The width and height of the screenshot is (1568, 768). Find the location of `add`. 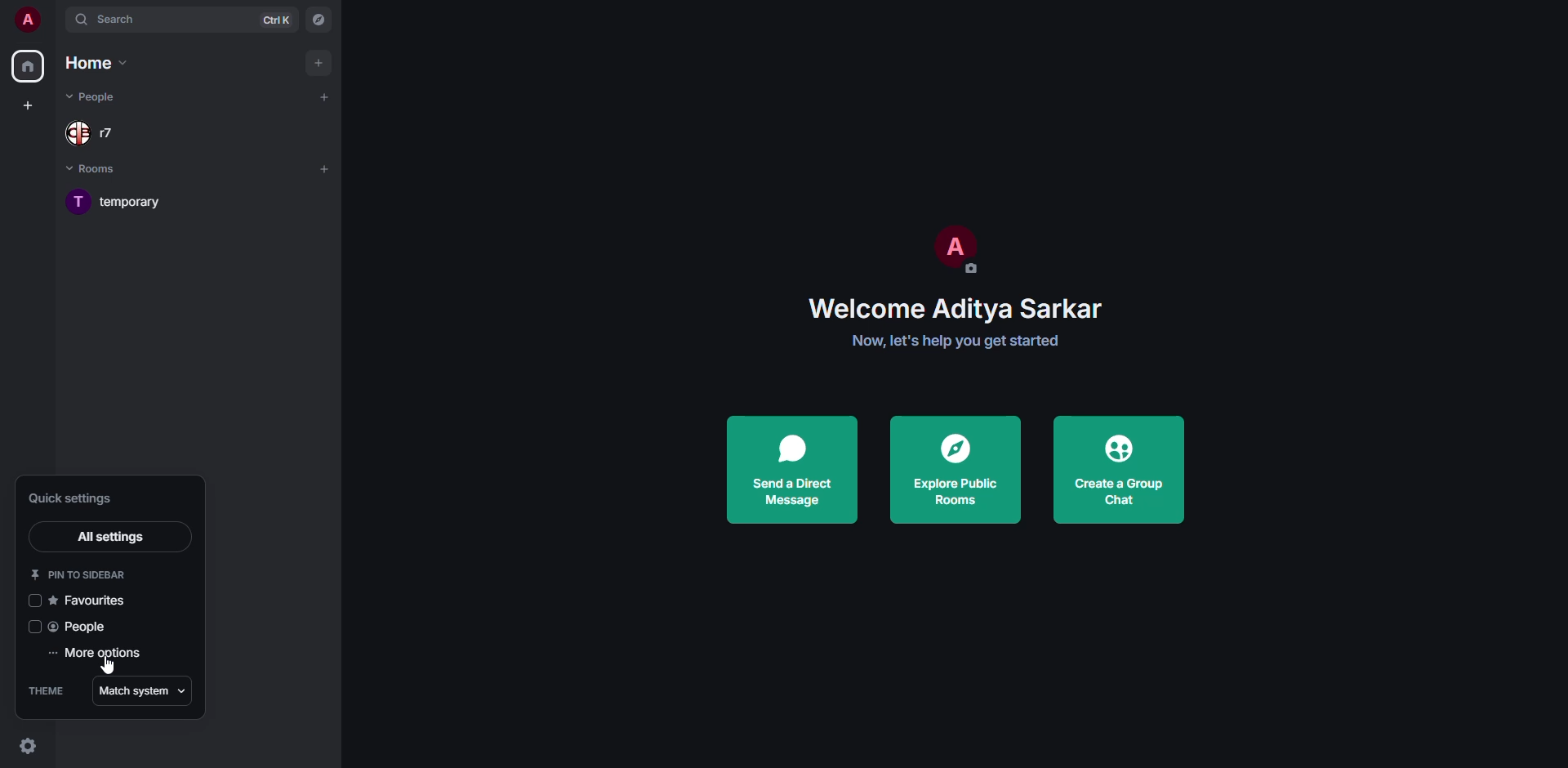

add is located at coordinates (328, 94).